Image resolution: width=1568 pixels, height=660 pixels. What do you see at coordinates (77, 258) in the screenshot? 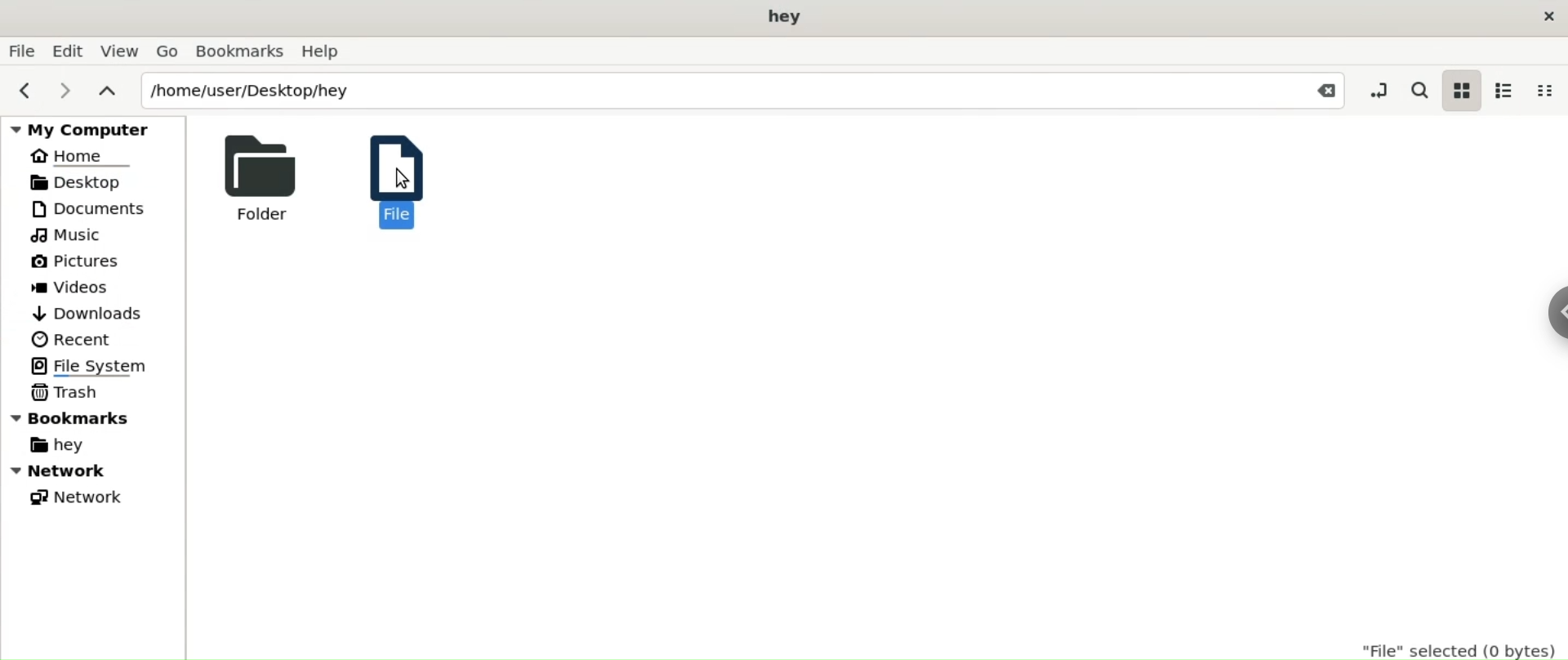
I see `Pictures` at bounding box center [77, 258].